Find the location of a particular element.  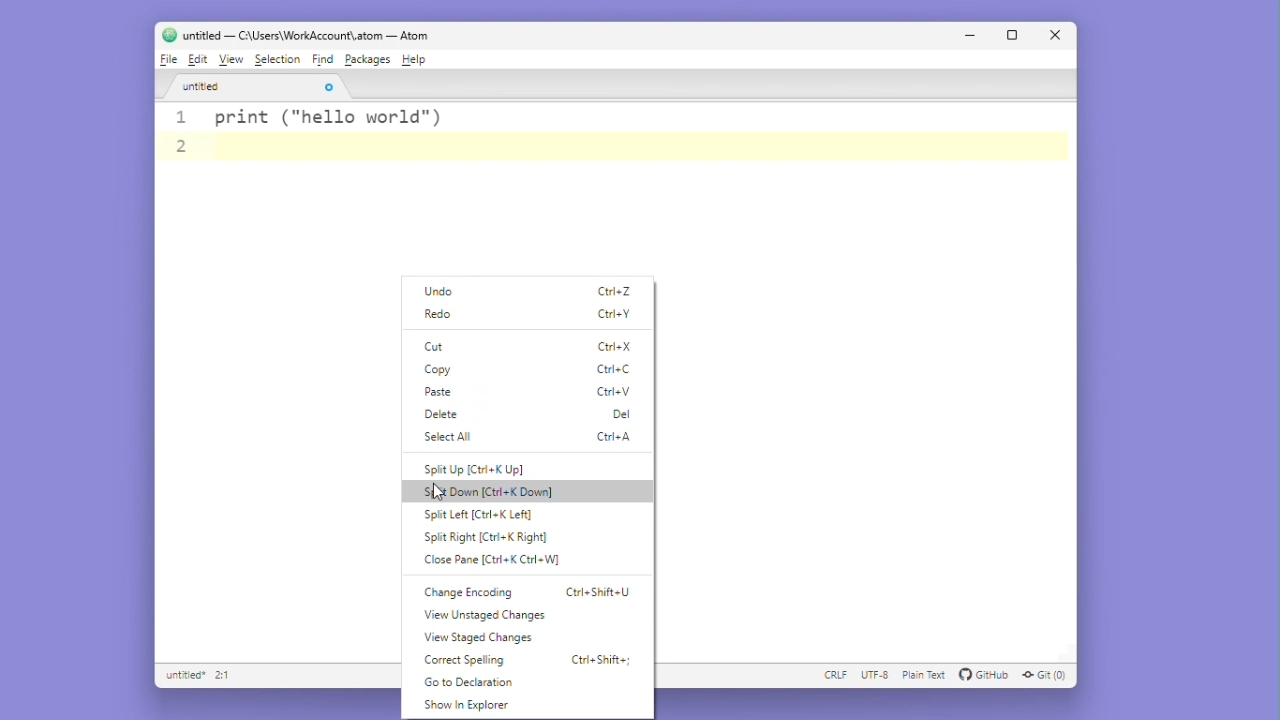

select all is located at coordinates (445, 436).